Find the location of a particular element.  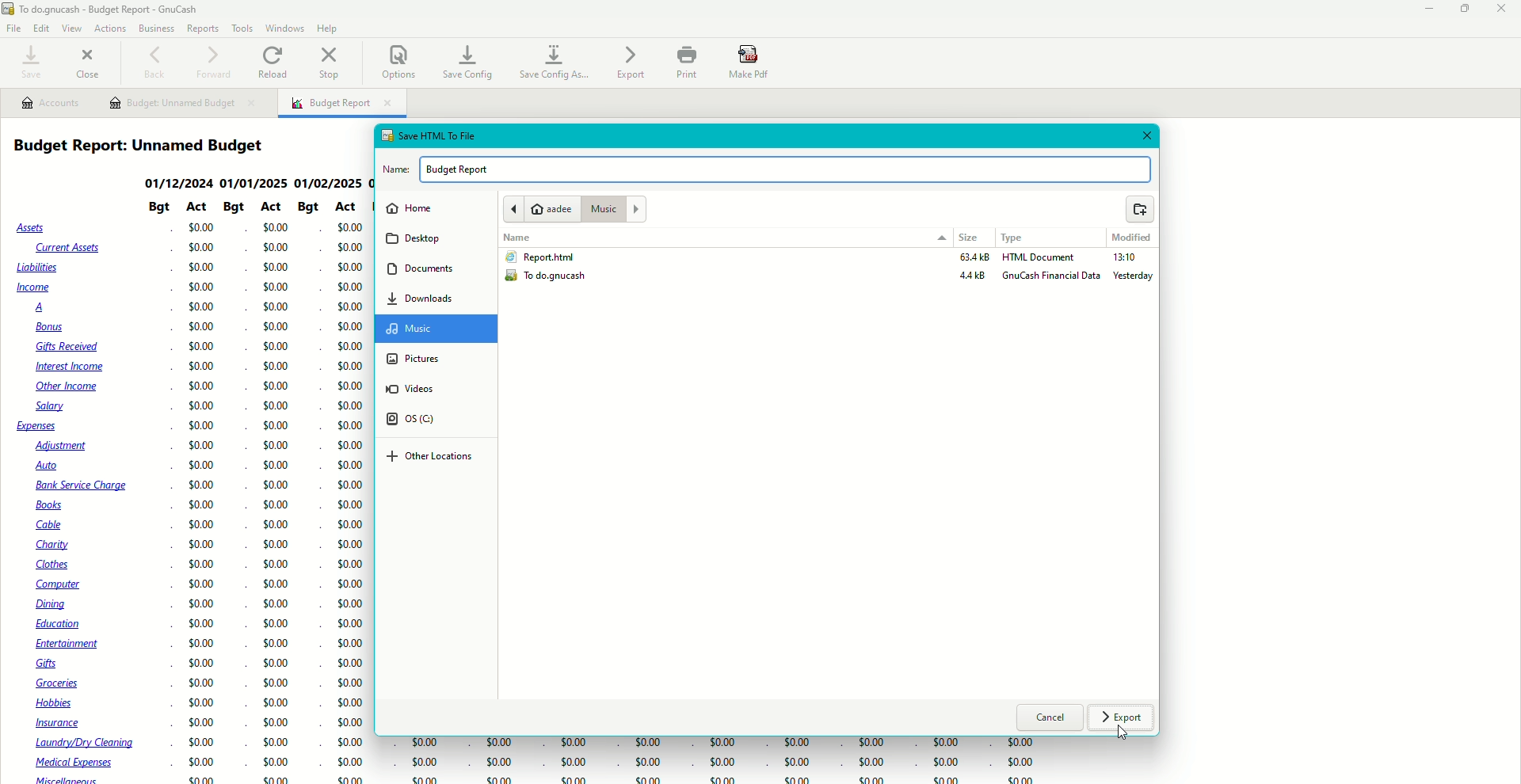

Save Config As is located at coordinates (556, 63).